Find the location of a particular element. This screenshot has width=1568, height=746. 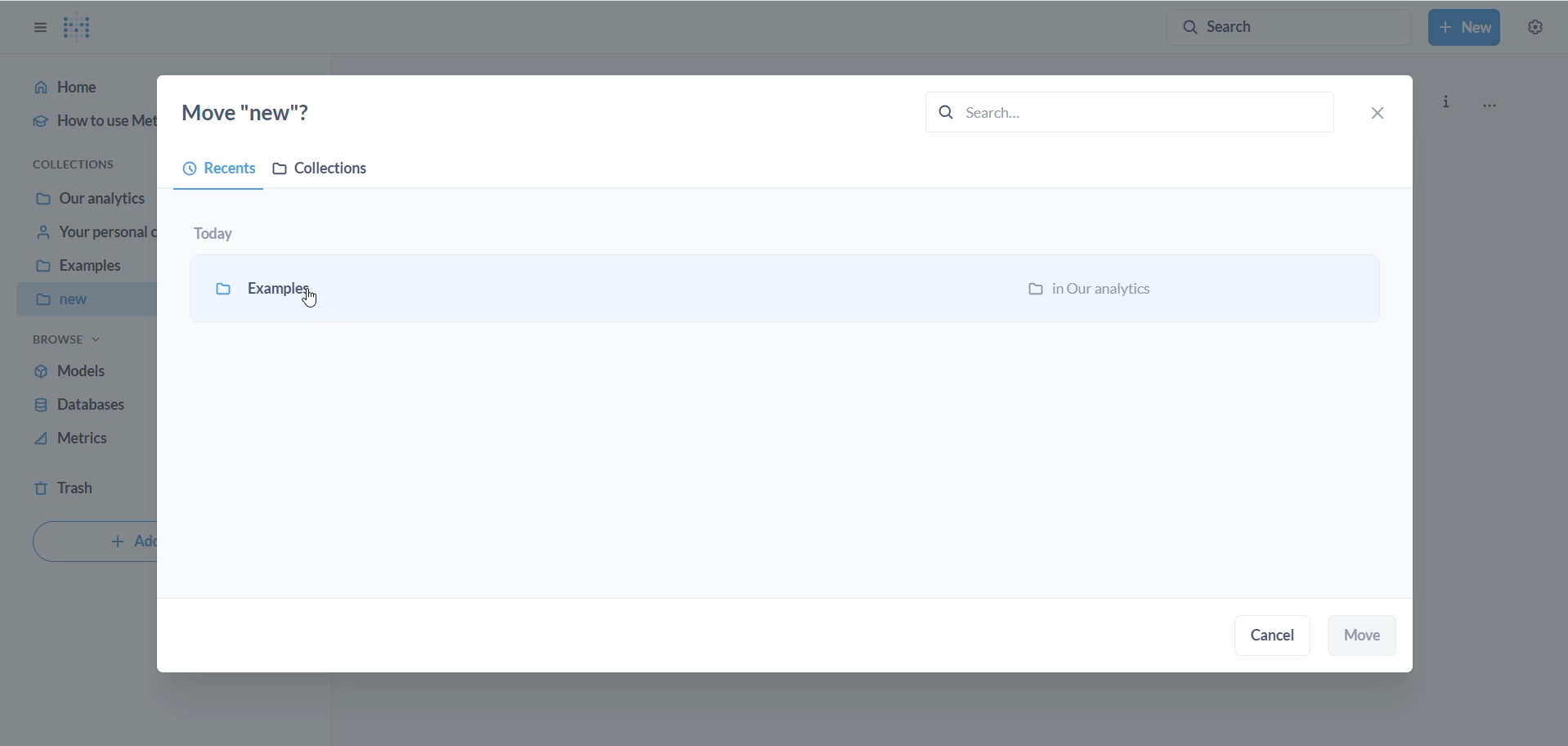

settings  is located at coordinates (1537, 29).